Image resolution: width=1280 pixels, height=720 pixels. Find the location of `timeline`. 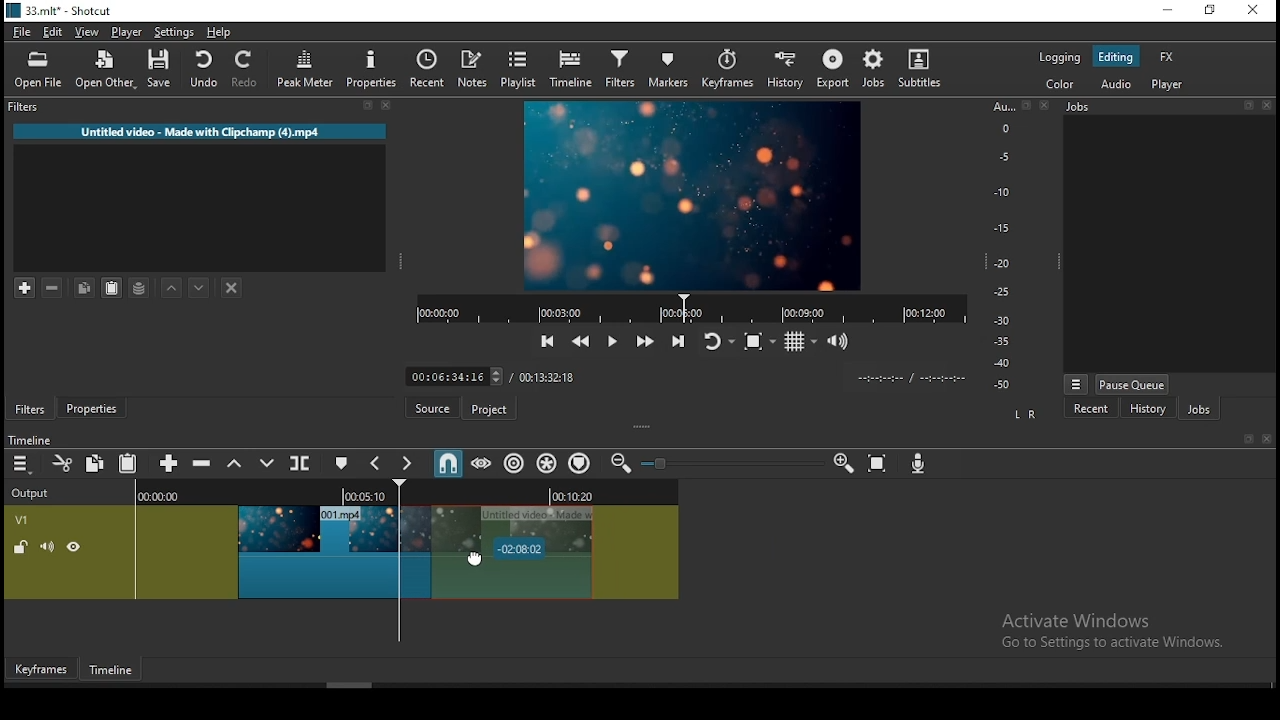

timeline is located at coordinates (33, 439).